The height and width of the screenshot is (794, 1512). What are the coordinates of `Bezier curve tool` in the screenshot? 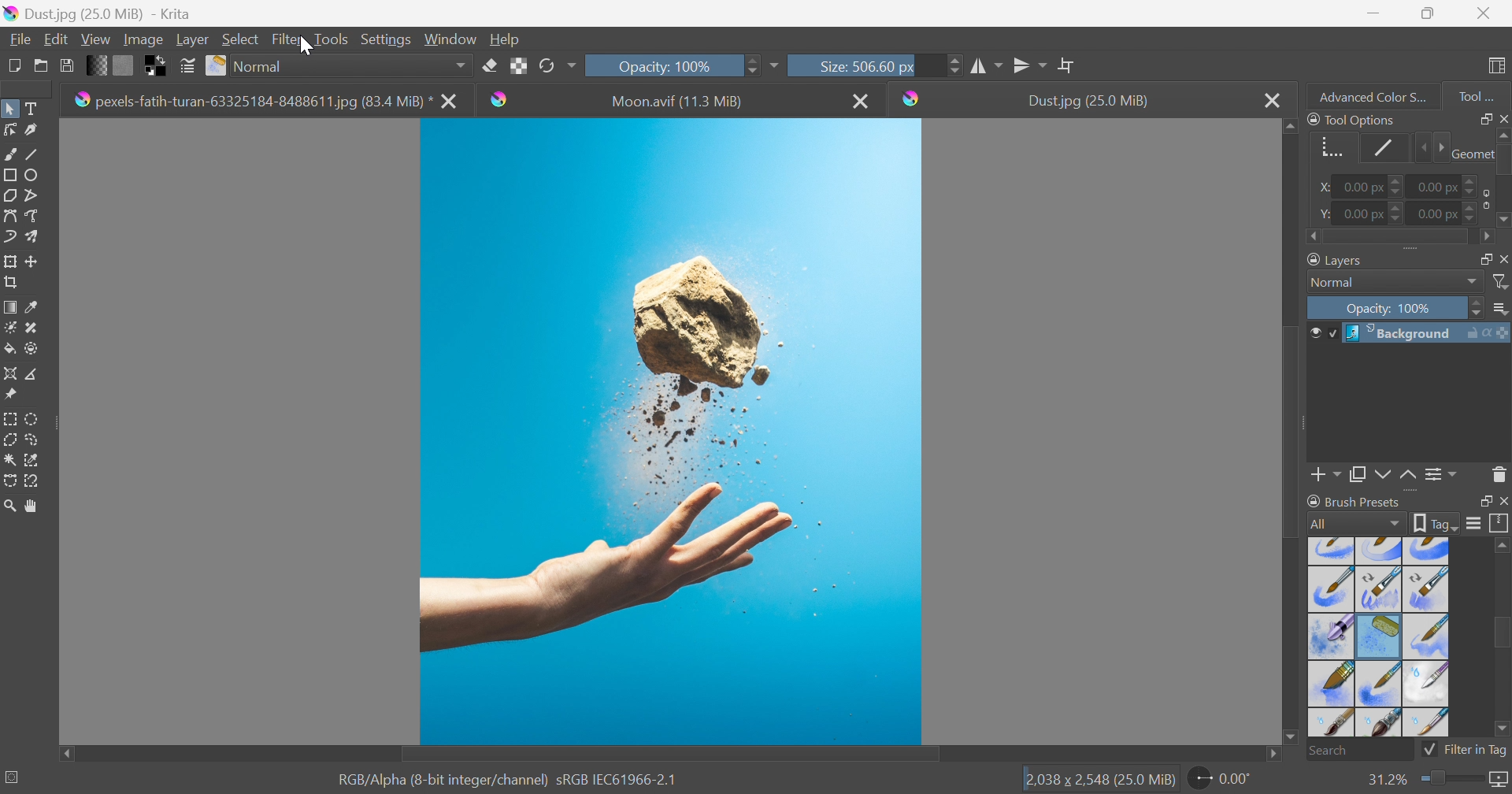 It's located at (9, 216).